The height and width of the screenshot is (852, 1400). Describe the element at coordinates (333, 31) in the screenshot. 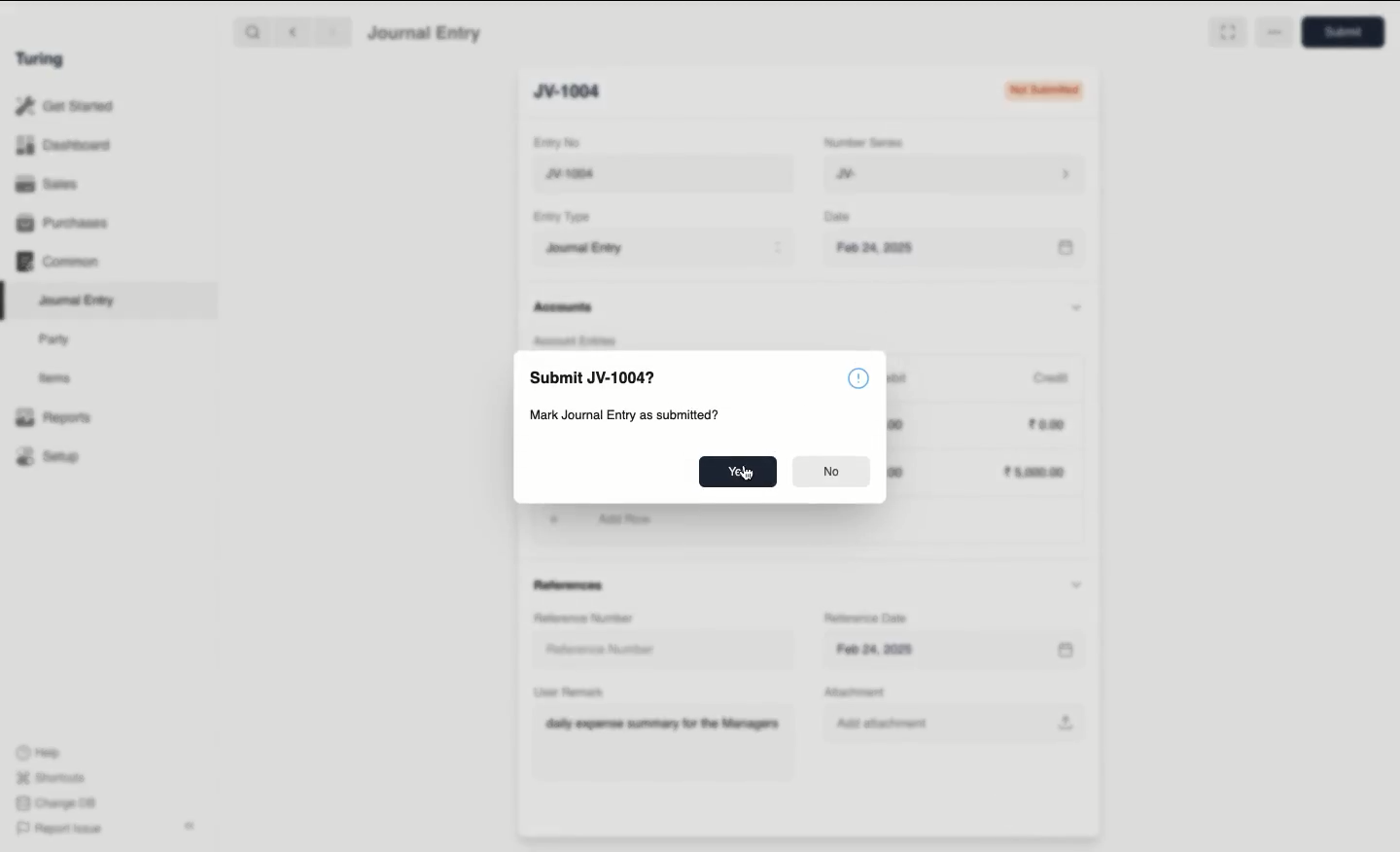

I see `Forward` at that location.